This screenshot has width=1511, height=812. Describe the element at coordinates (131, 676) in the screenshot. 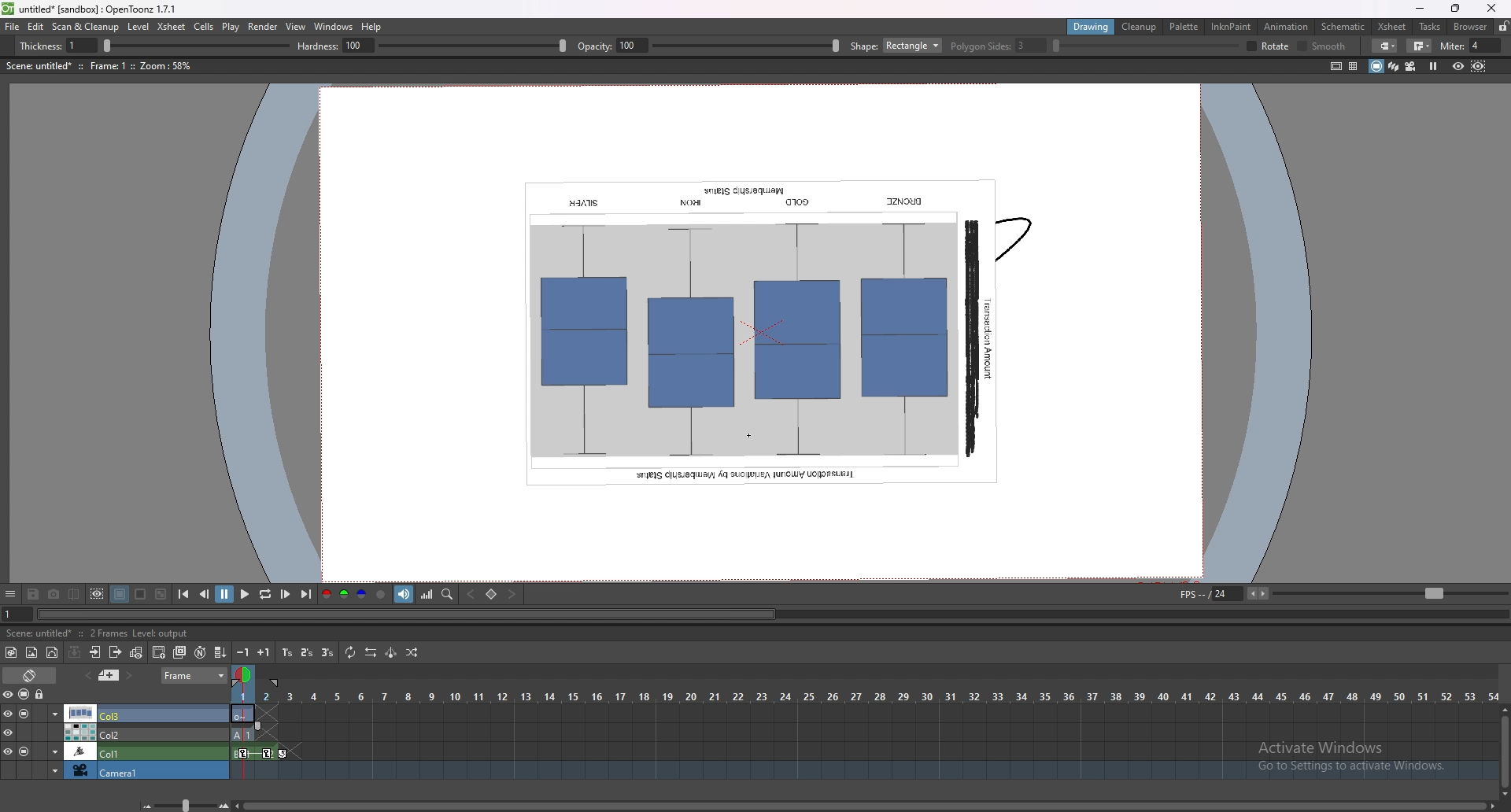

I see `next memo` at that location.